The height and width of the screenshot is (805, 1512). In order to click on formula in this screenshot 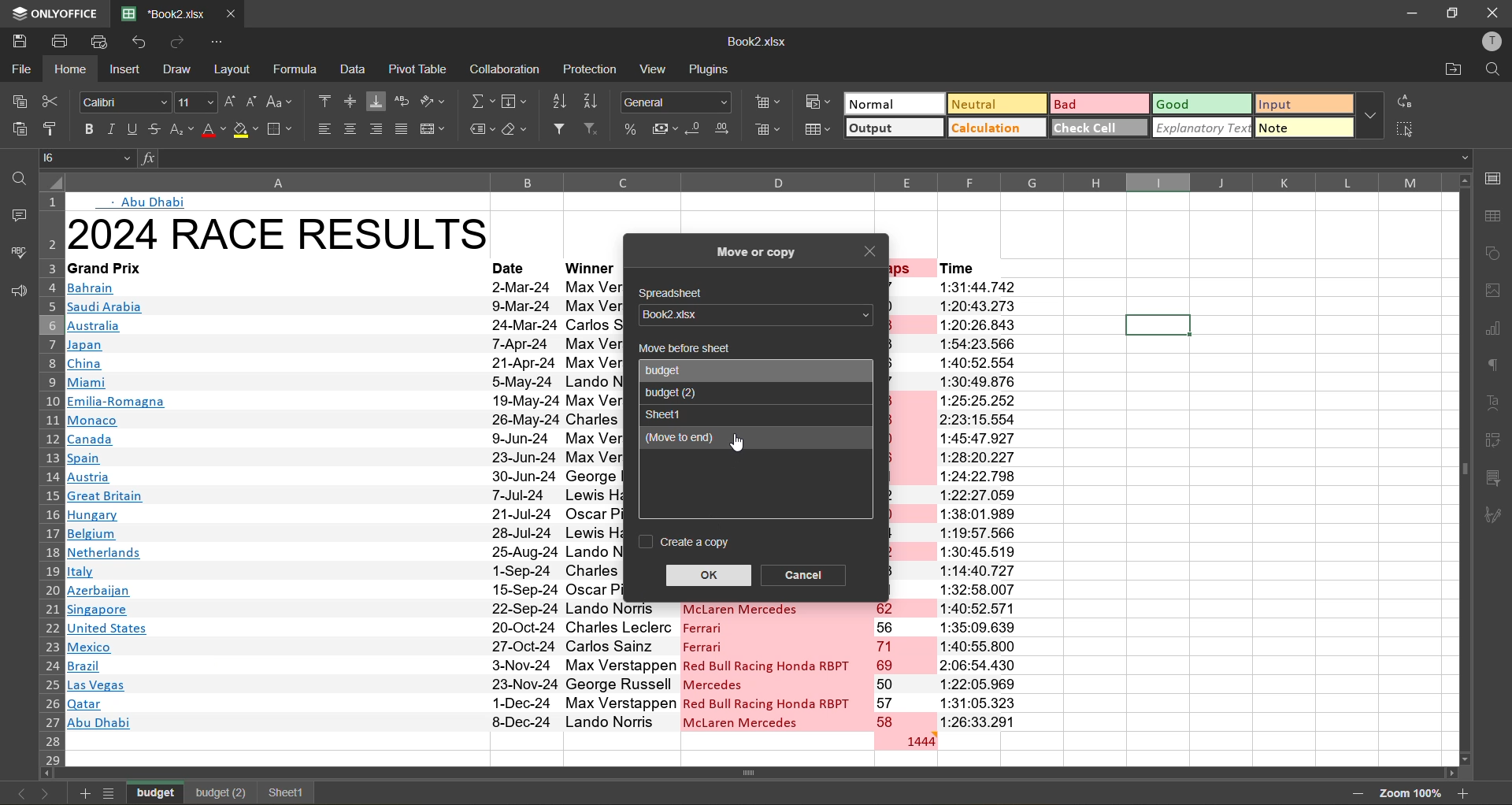, I will do `click(297, 69)`.